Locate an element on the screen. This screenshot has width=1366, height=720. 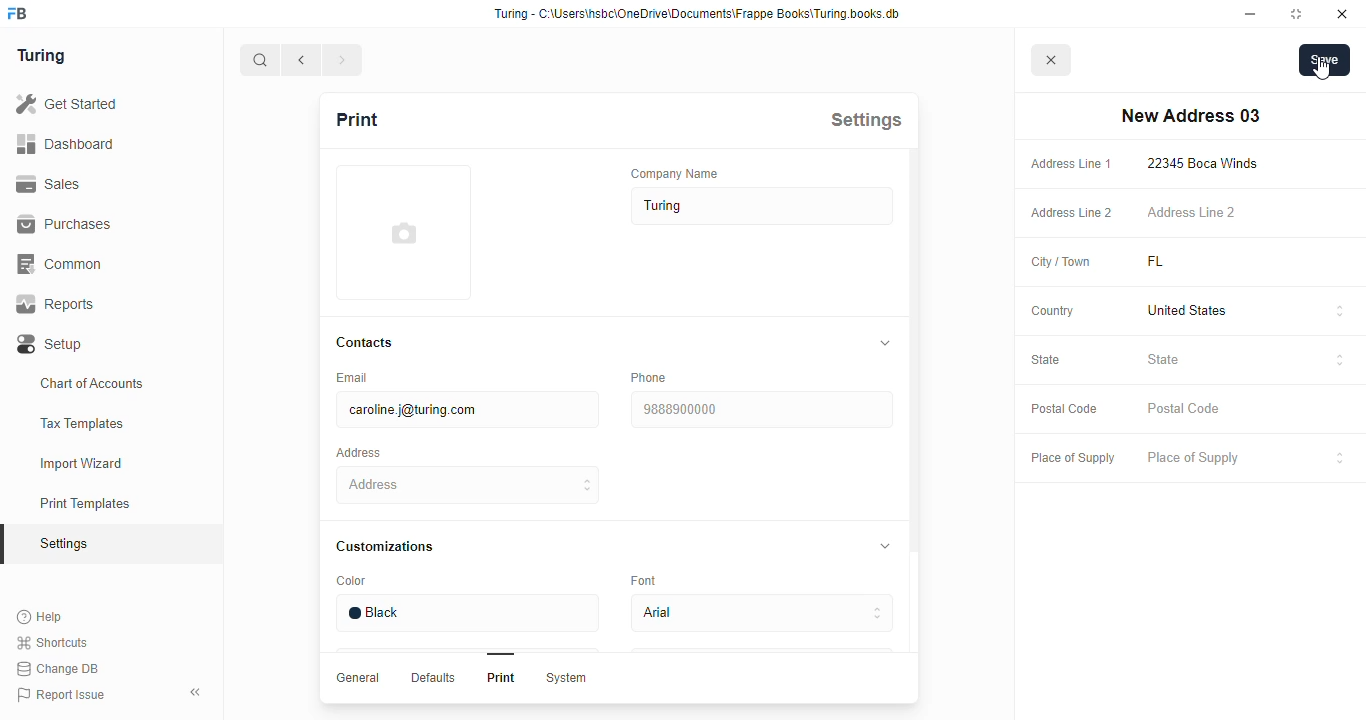
united states is located at coordinates (1247, 312).